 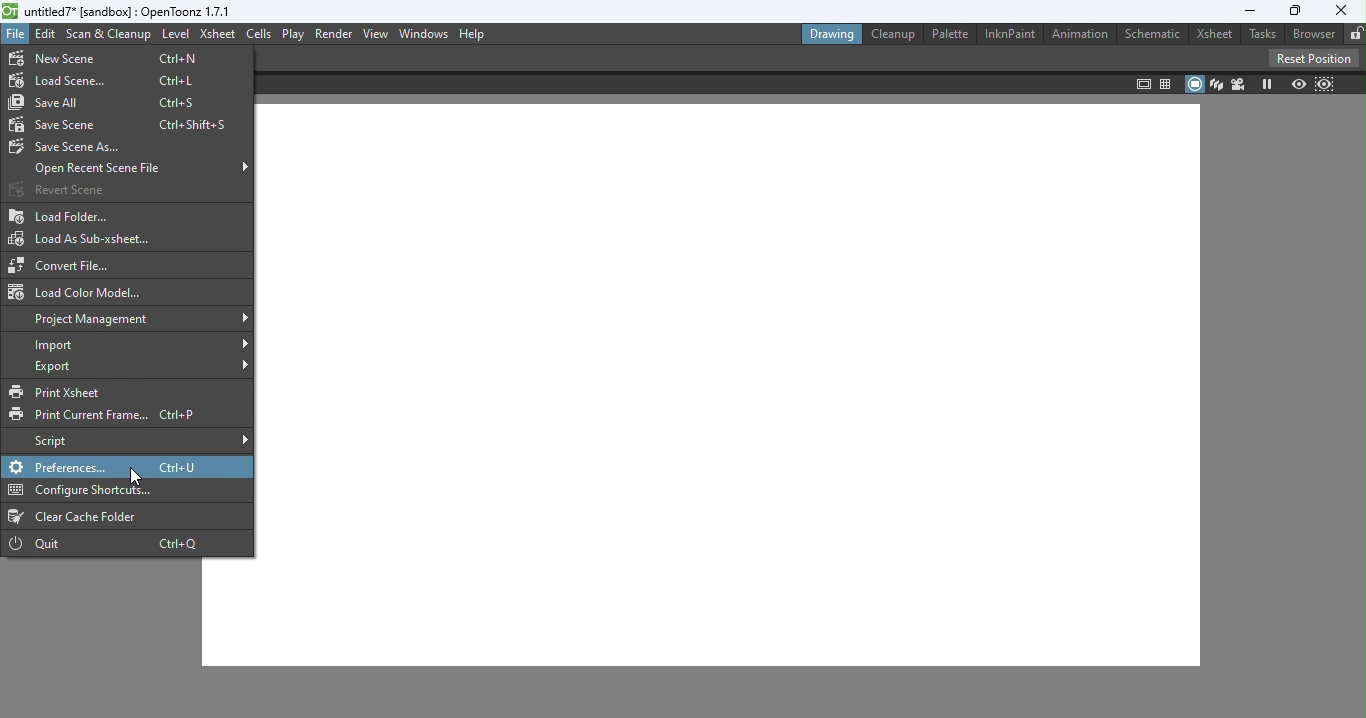 What do you see at coordinates (141, 345) in the screenshot?
I see `Import` at bounding box center [141, 345].